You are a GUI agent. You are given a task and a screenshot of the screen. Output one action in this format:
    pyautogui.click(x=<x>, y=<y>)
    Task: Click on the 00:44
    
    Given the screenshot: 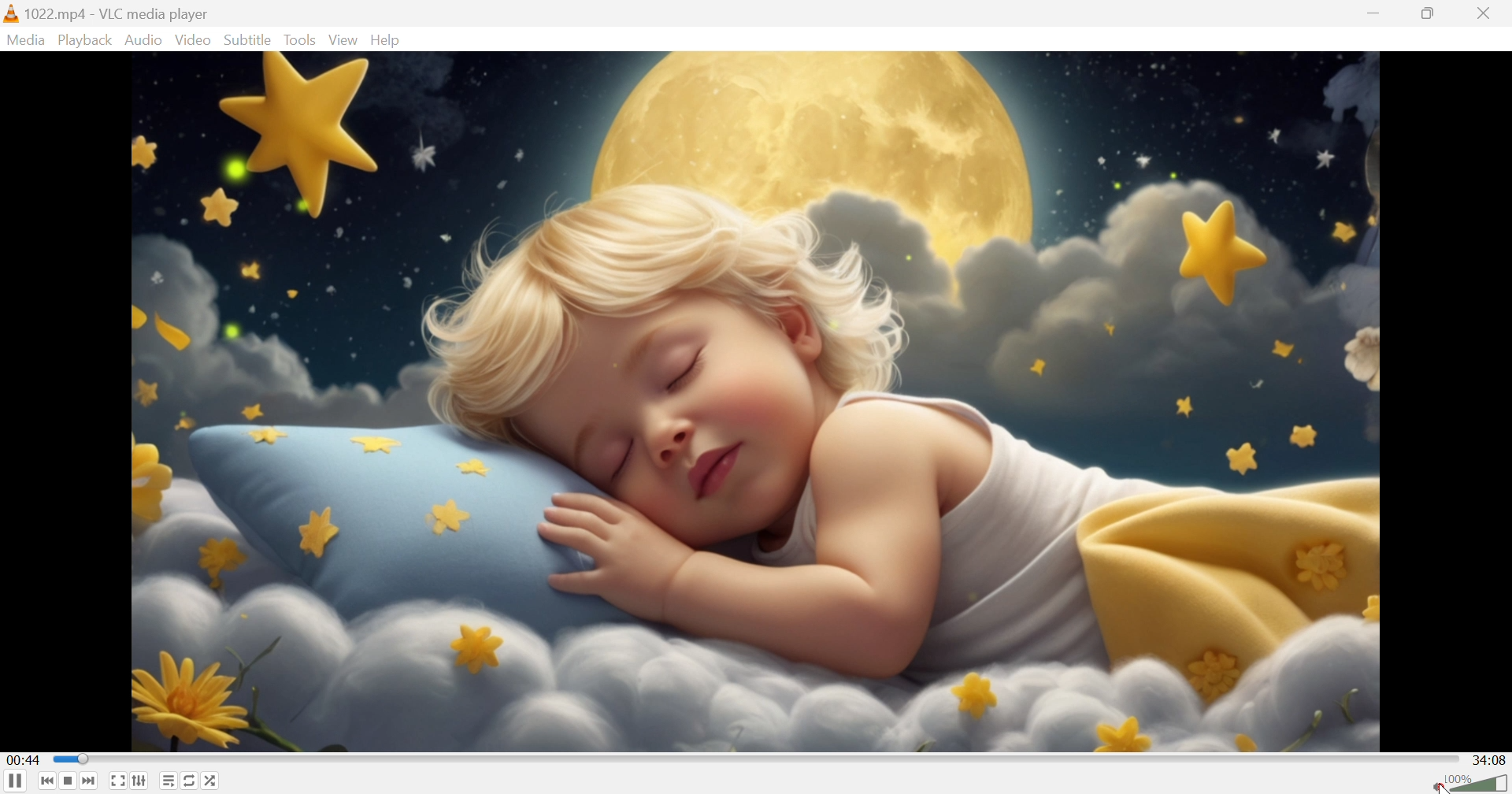 What is the action you would take?
    pyautogui.click(x=24, y=759)
    